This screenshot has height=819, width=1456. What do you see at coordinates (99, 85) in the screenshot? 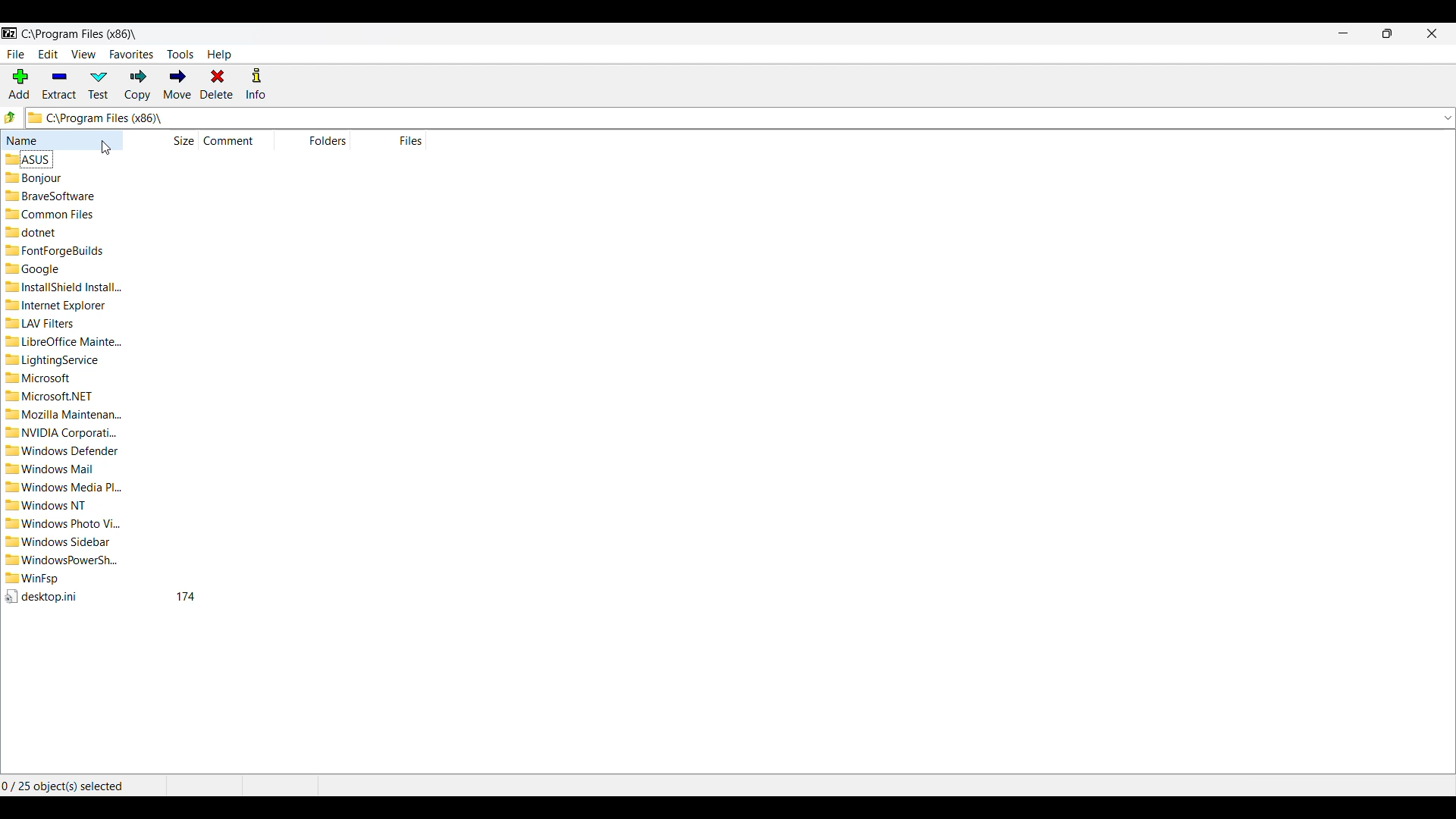
I see `Test` at bounding box center [99, 85].